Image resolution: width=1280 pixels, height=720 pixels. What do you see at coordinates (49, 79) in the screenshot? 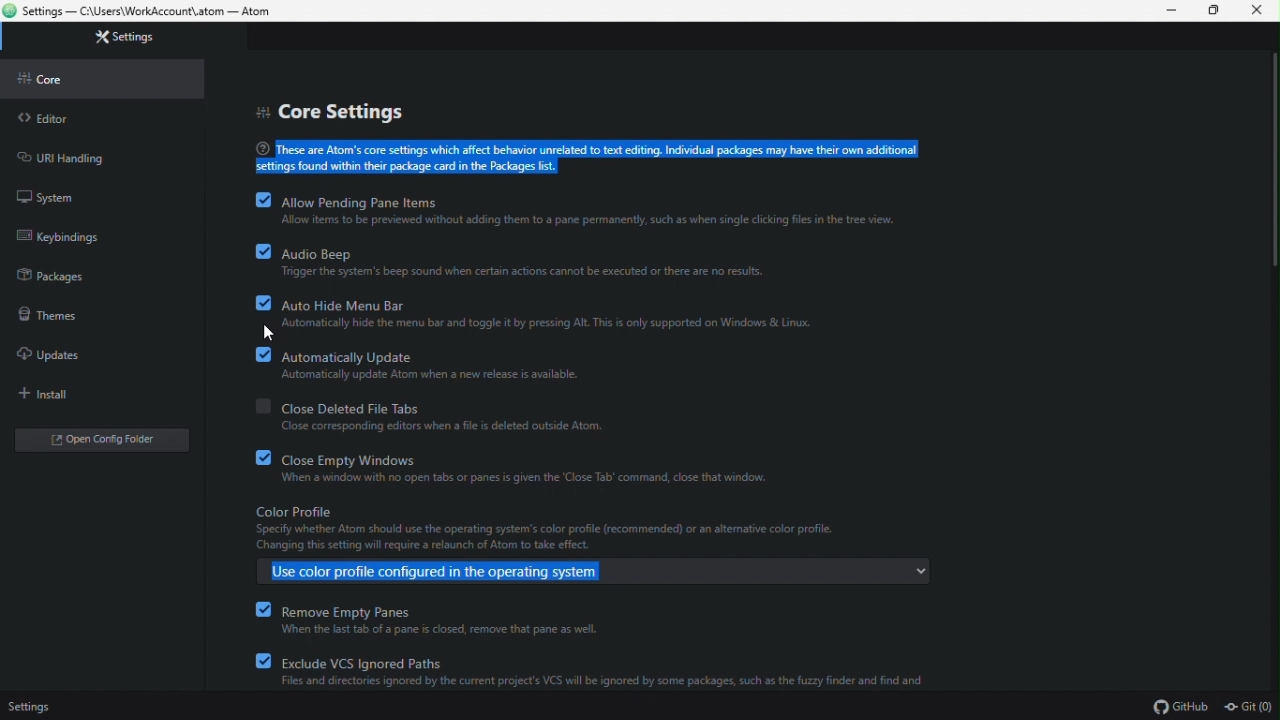
I see `core` at bounding box center [49, 79].